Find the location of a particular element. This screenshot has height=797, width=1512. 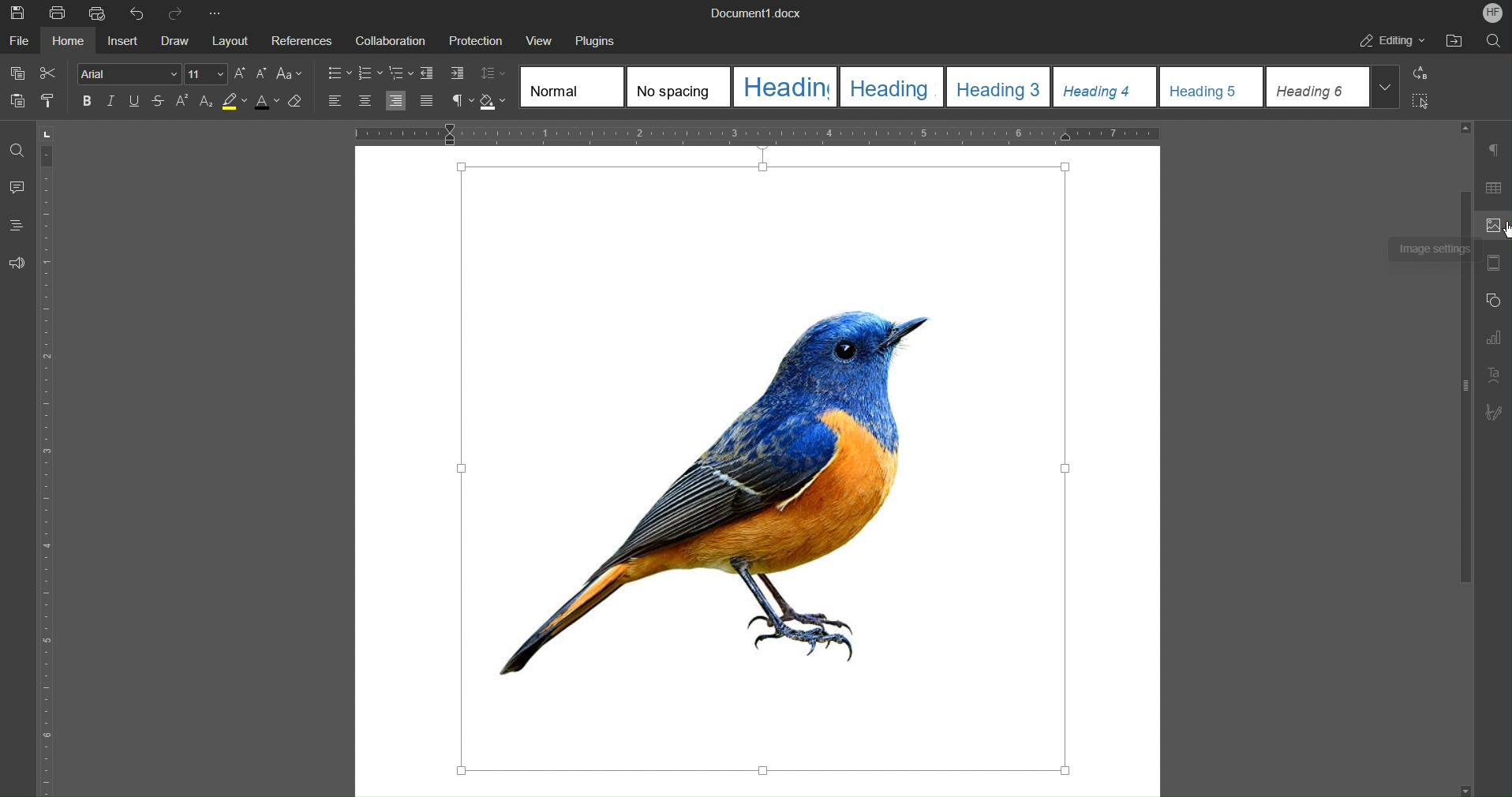

Decrease Indent is located at coordinates (427, 74).